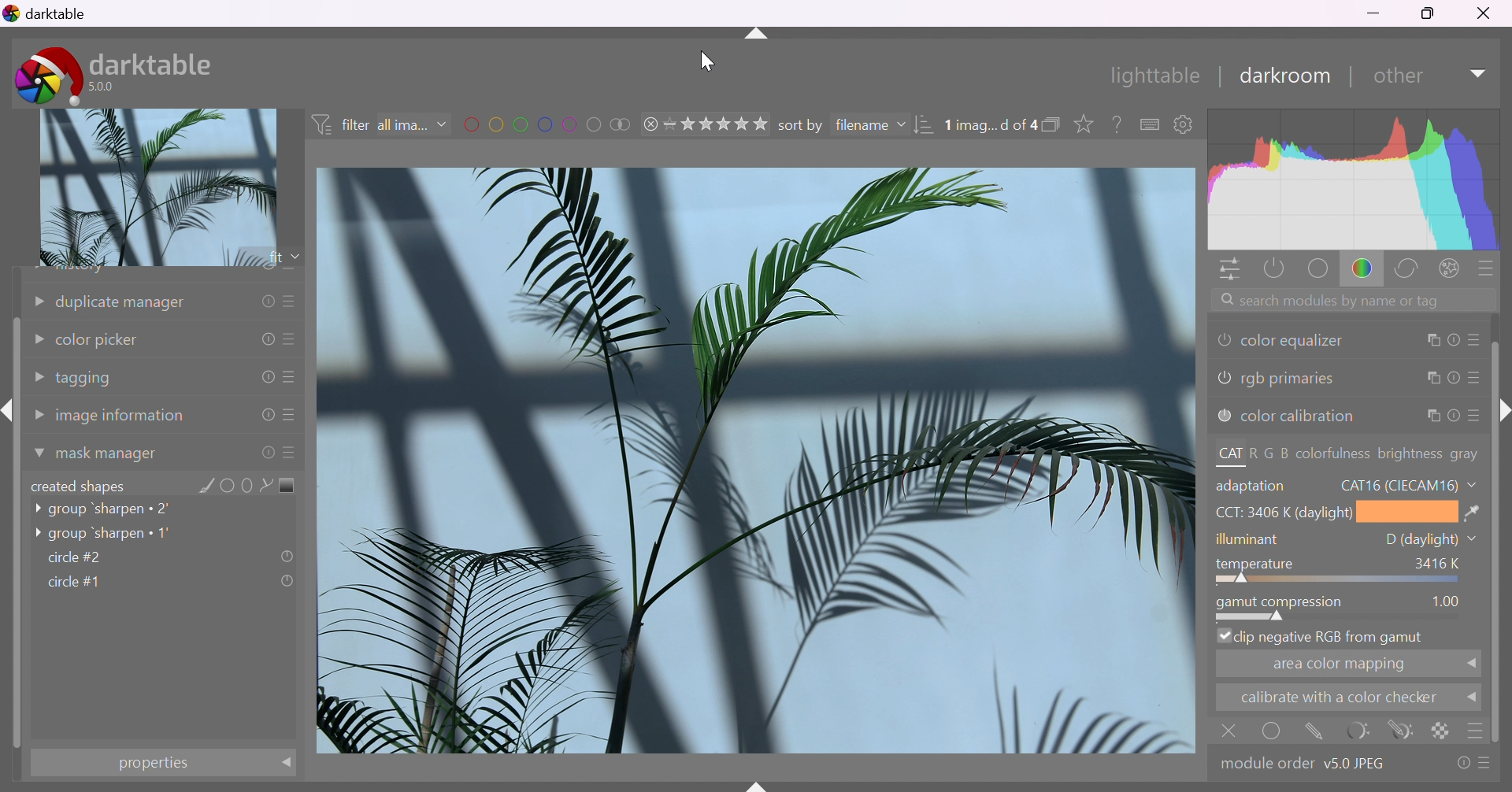  What do you see at coordinates (1347, 415) in the screenshot?
I see `color calibration` at bounding box center [1347, 415].